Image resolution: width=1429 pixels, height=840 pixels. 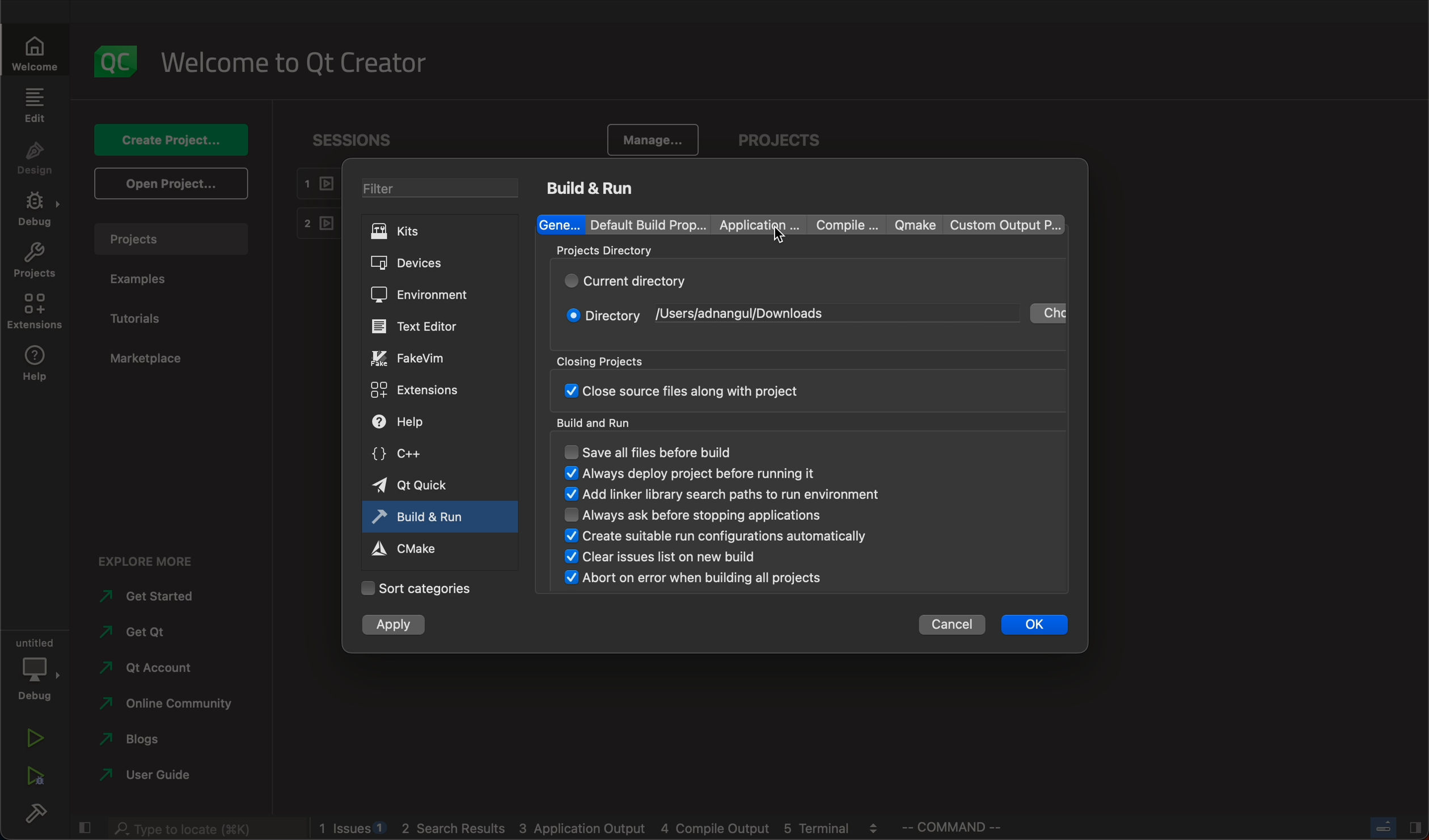 What do you see at coordinates (602, 828) in the screenshot?
I see `blogs` at bounding box center [602, 828].